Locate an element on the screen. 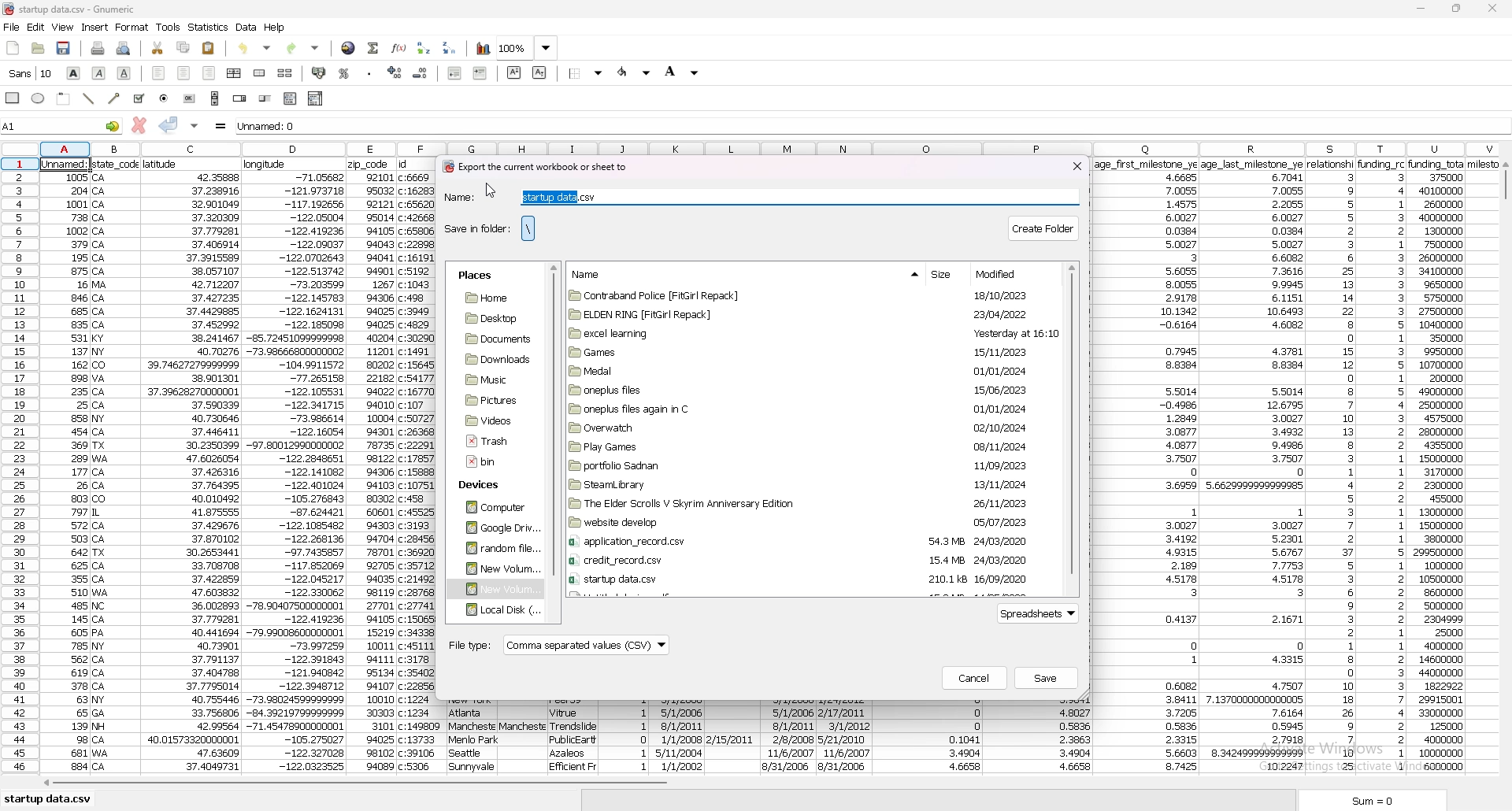  supercript is located at coordinates (514, 72).